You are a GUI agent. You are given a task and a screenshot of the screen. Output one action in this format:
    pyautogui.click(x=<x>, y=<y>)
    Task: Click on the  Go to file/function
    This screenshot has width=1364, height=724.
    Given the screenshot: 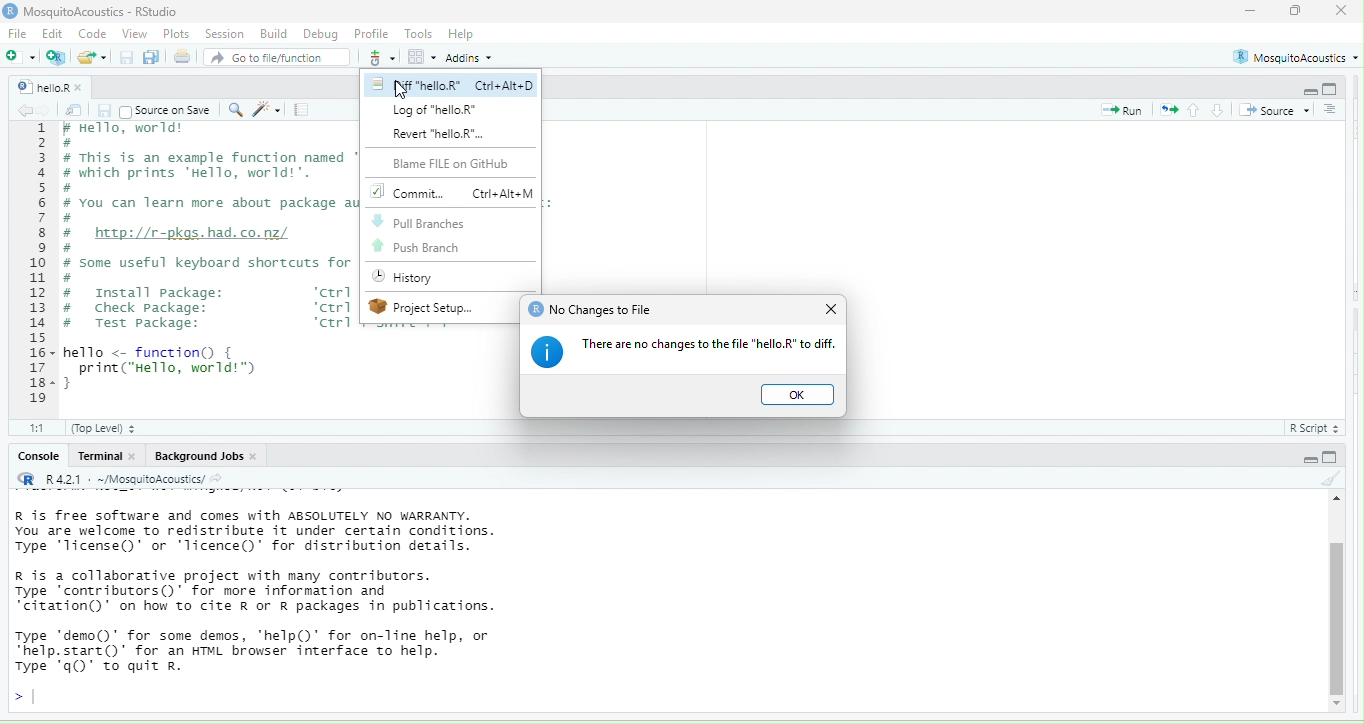 What is the action you would take?
    pyautogui.click(x=275, y=58)
    